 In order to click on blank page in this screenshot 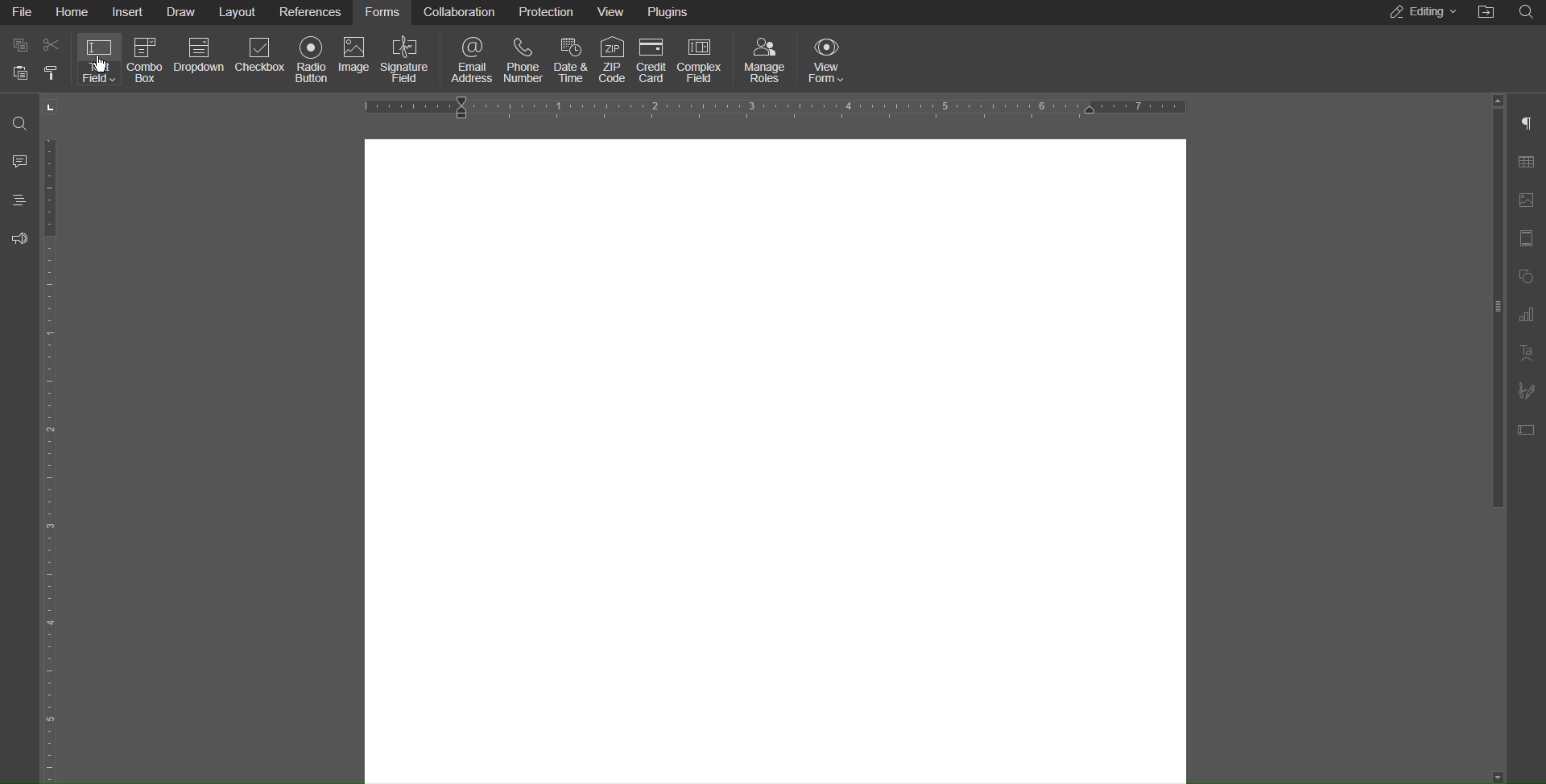, I will do `click(776, 457)`.